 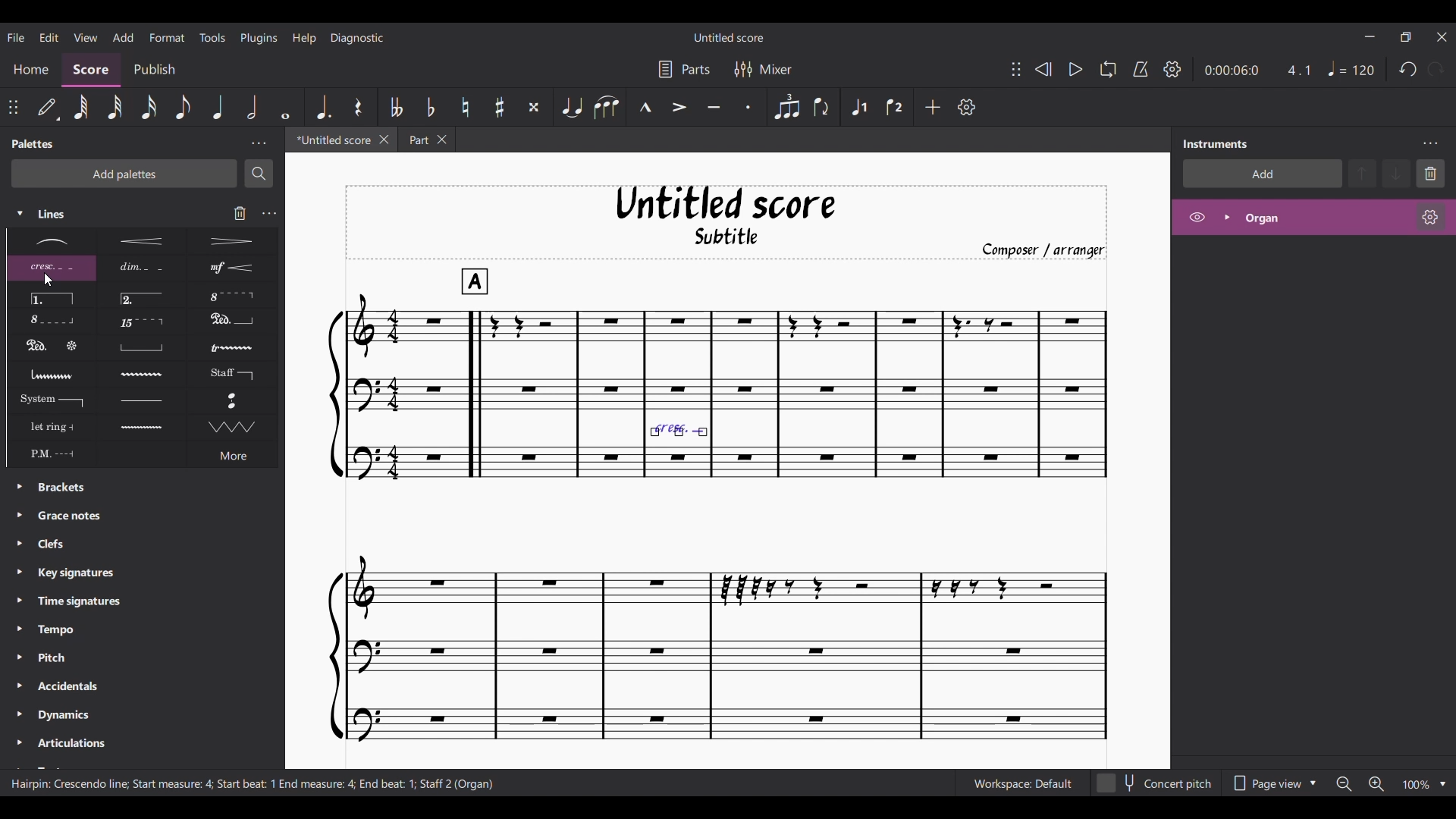 I want to click on Current selection in Line palette highlighted, so click(x=51, y=268).